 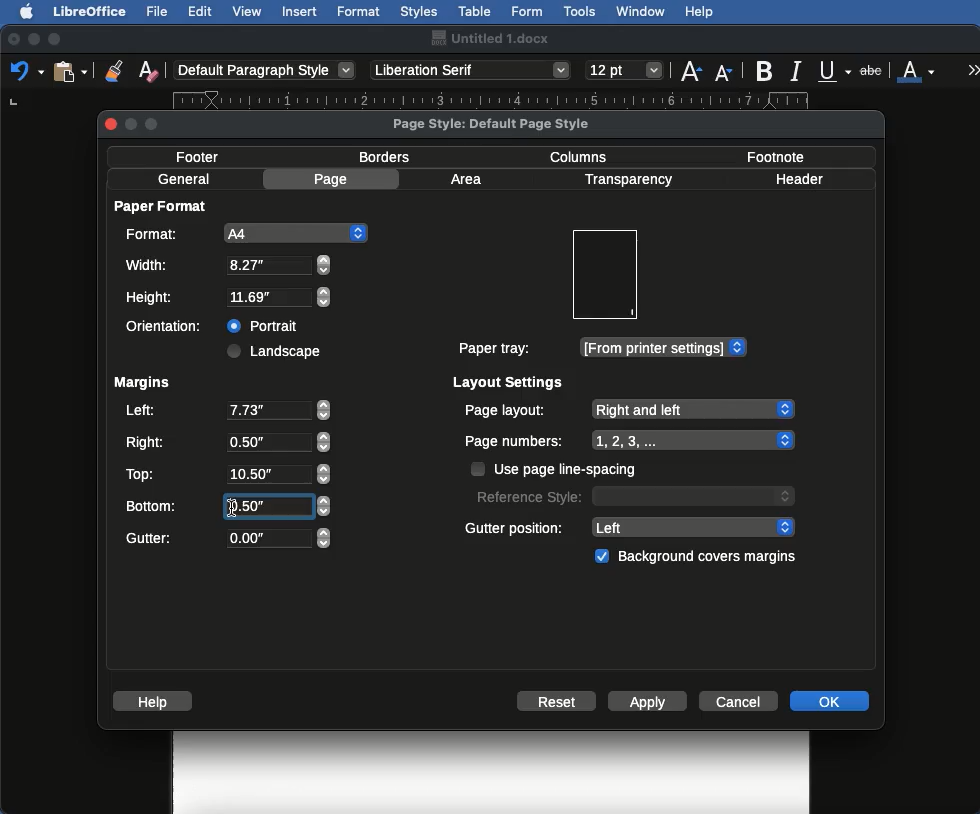 I want to click on Header, so click(x=799, y=179).